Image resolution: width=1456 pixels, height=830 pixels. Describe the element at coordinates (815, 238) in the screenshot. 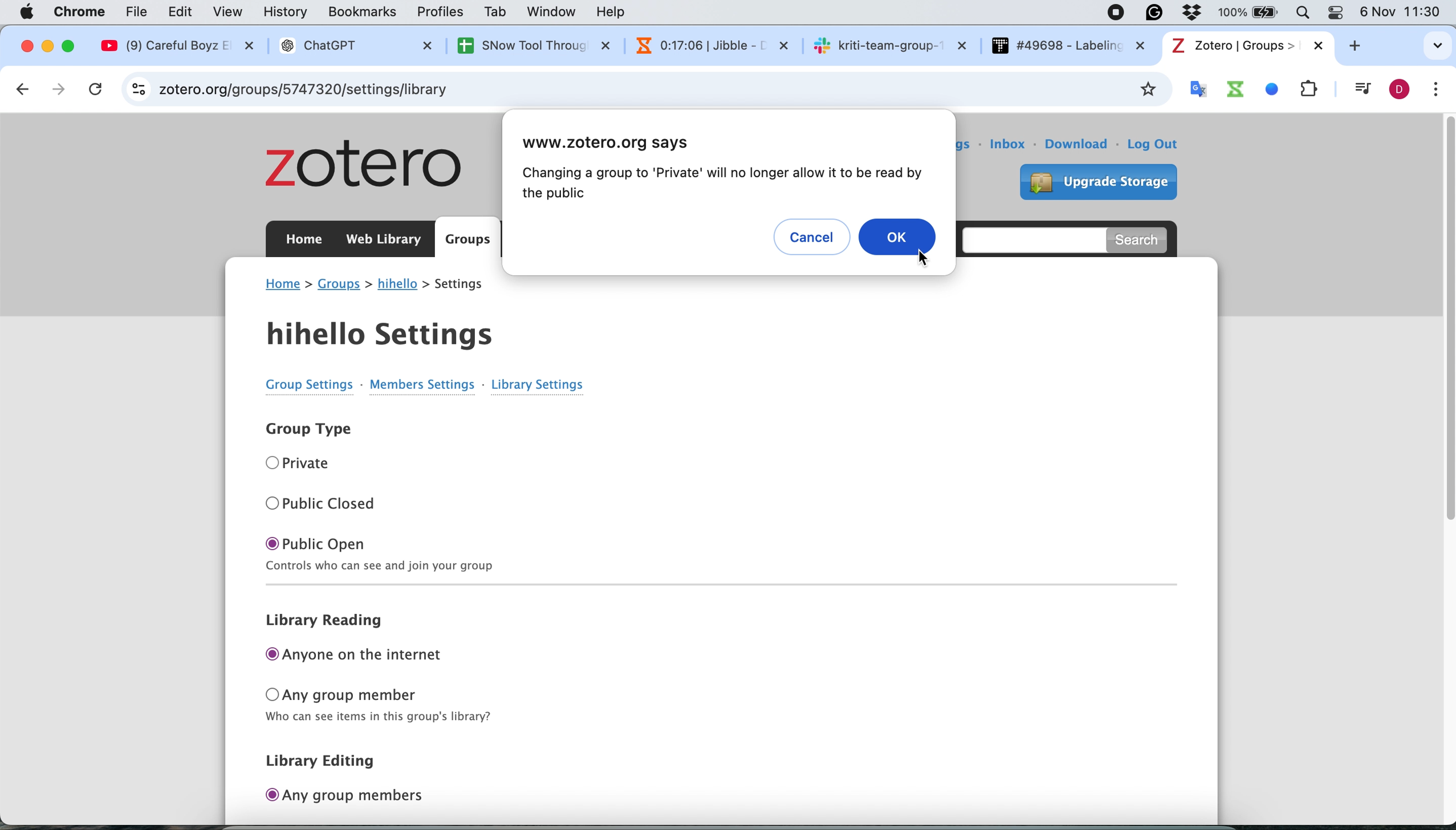

I see `cancel` at that location.